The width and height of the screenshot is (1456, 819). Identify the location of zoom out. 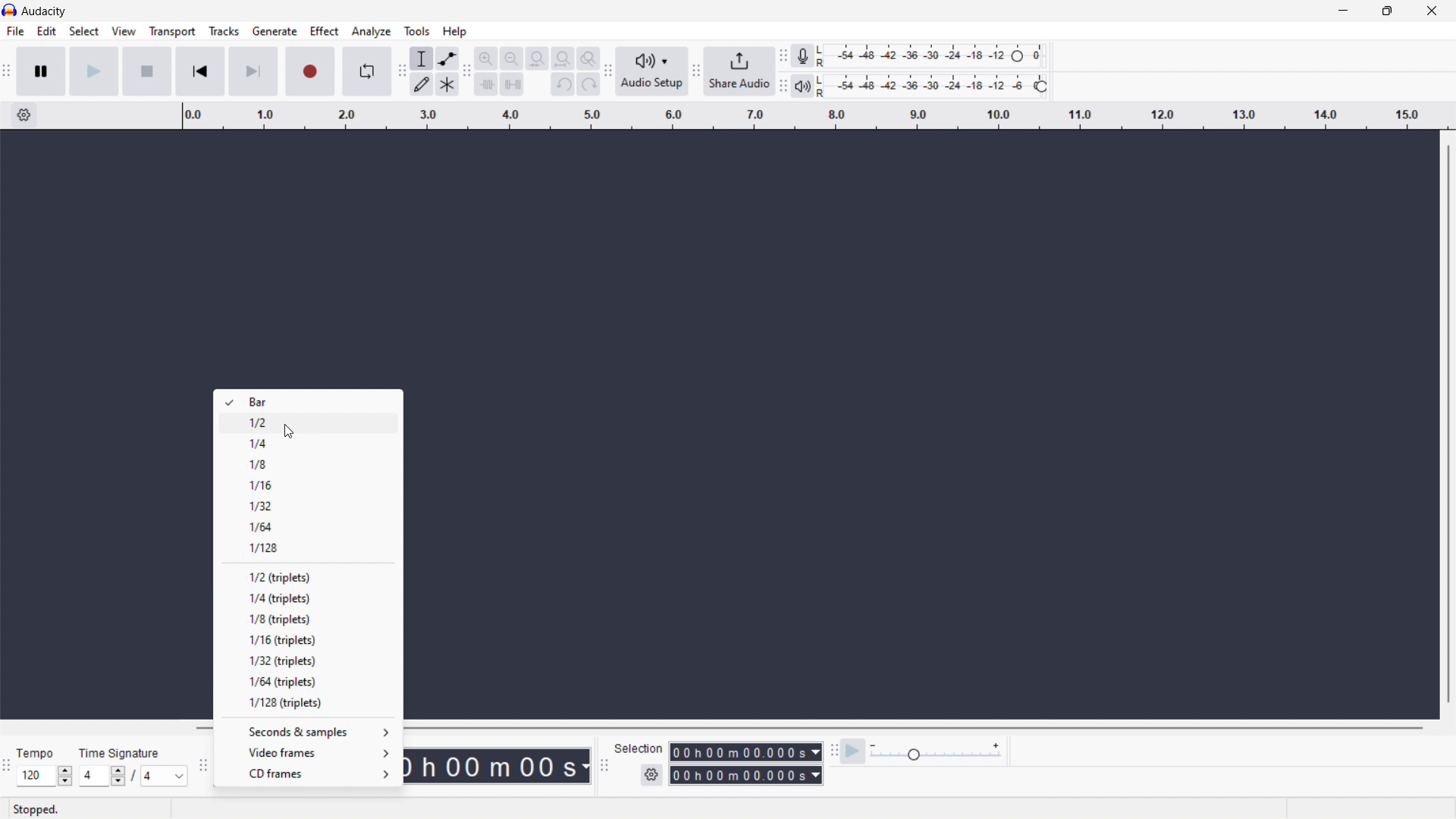
(512, 58).